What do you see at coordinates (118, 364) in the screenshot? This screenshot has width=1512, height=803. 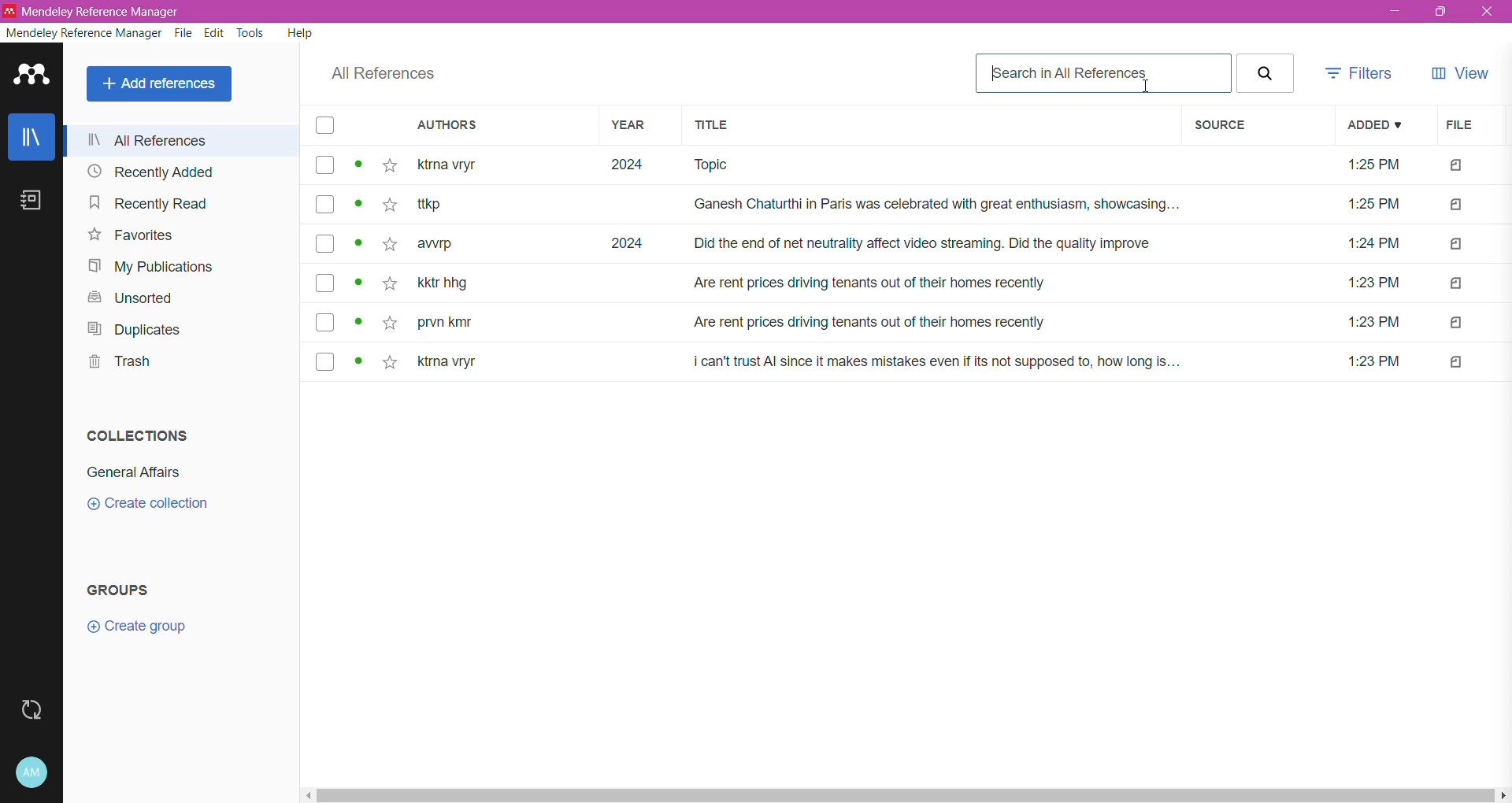 I see `Trash` at bounding box center [118, 364].